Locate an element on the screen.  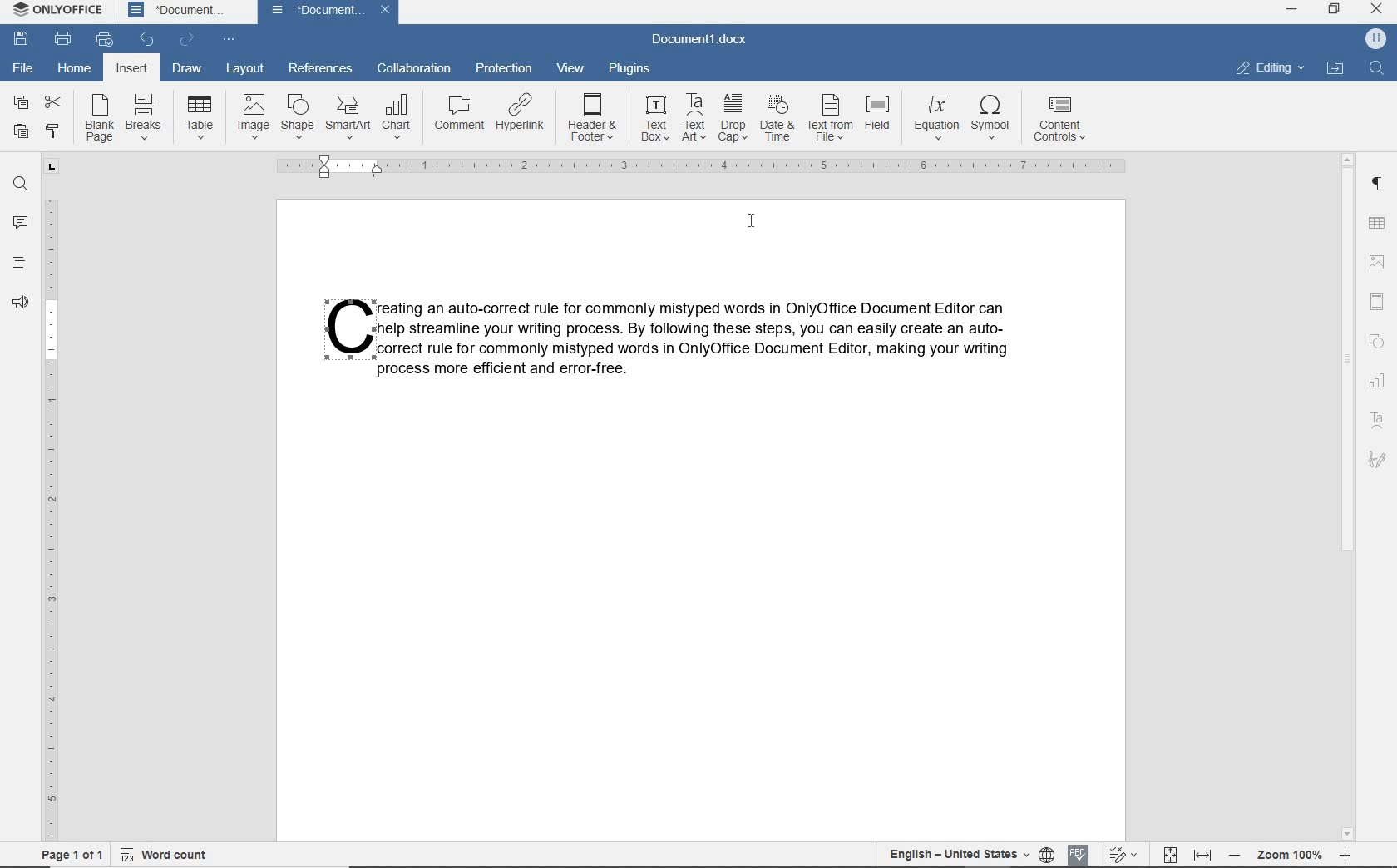
drop cap is located at coordinates (730, 118).